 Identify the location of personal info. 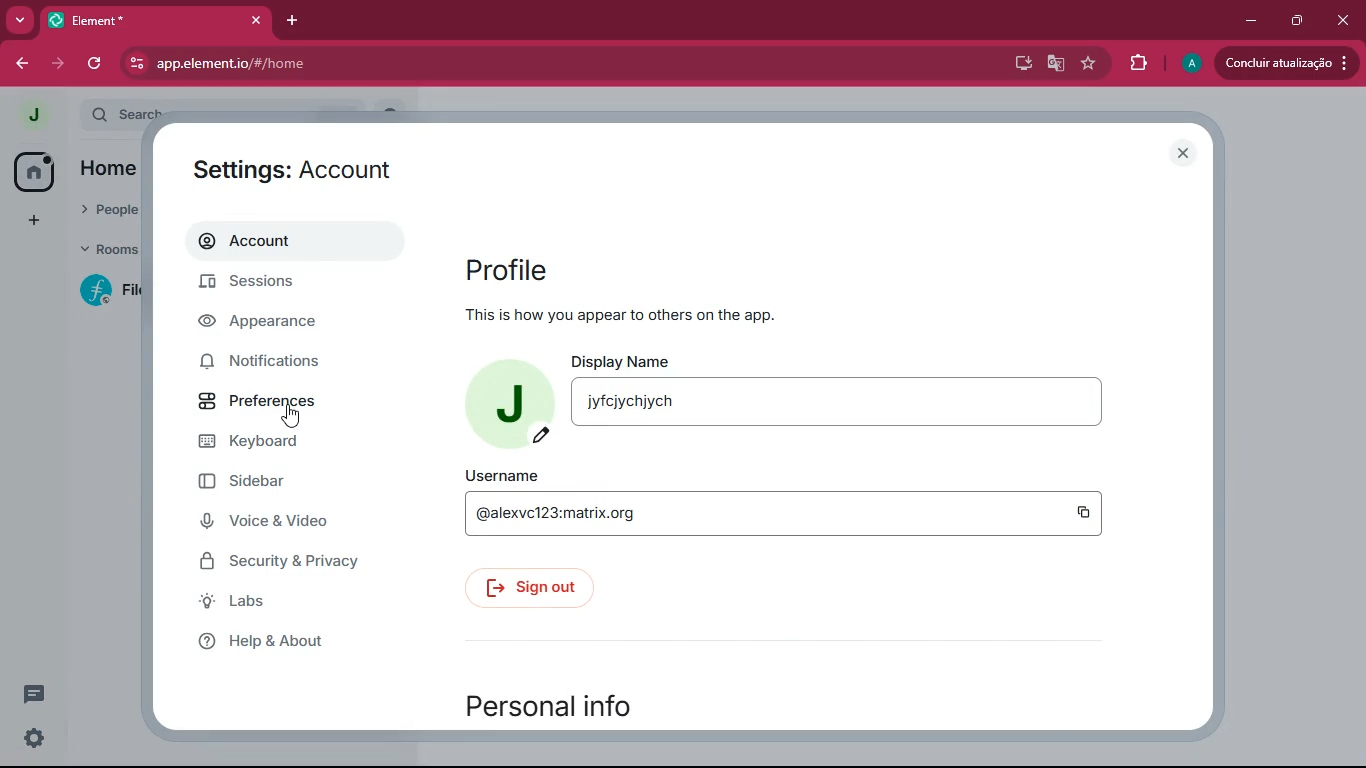
(567, 708).